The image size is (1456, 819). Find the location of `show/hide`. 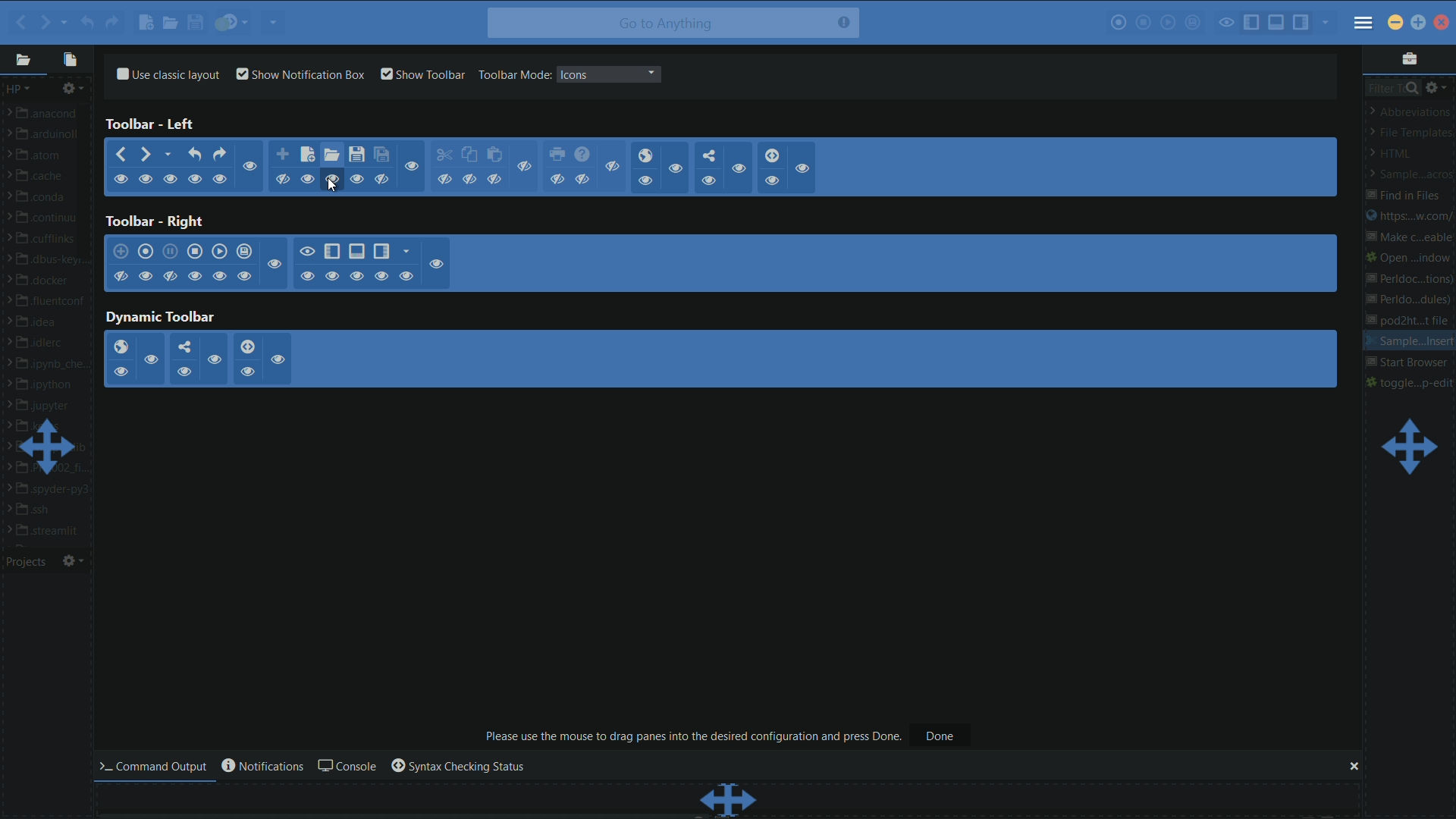

show/hide is located at coordinates (121, 180).